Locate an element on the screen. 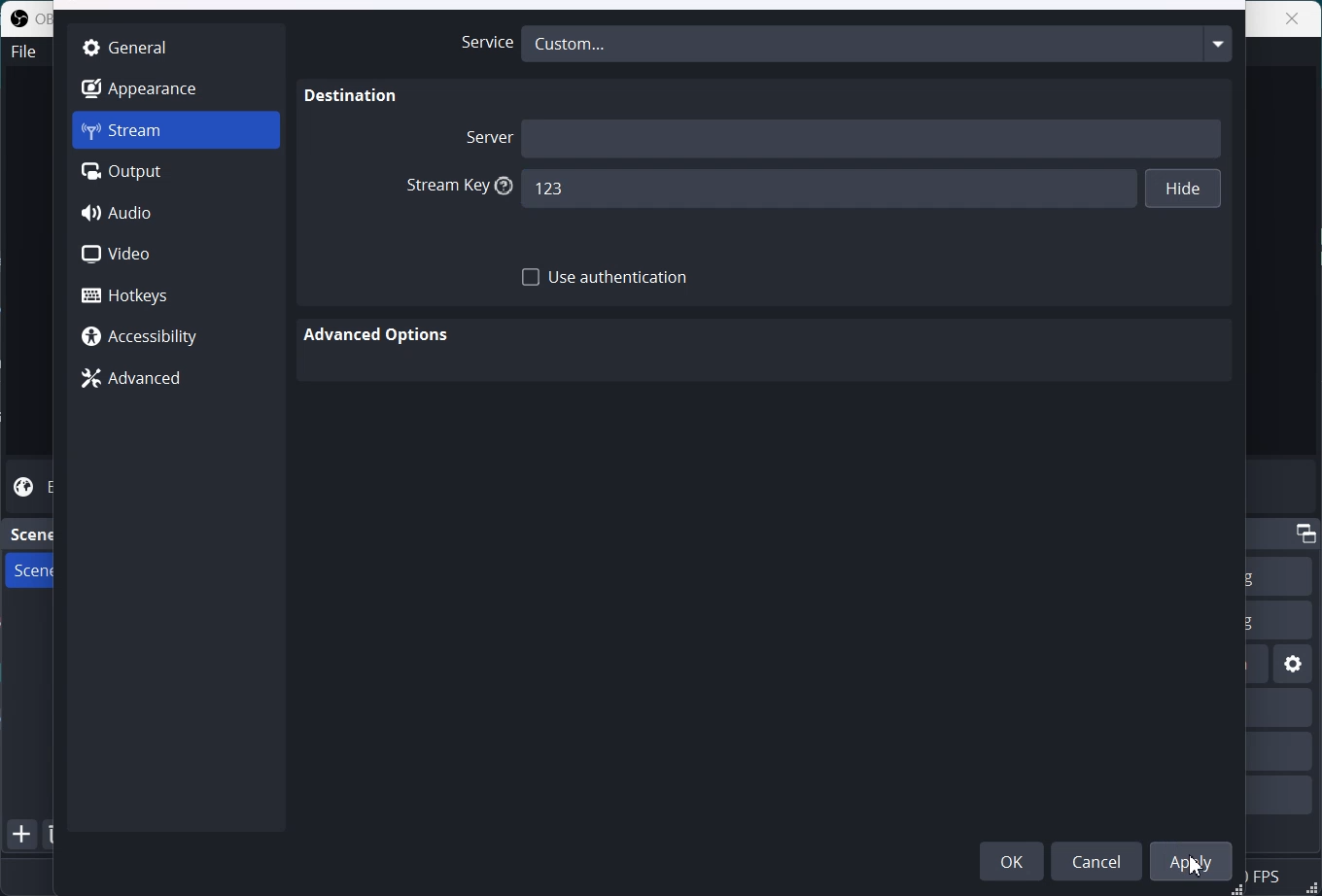 The image size is (1322, 896). Output is located at coordinates (176, 172).